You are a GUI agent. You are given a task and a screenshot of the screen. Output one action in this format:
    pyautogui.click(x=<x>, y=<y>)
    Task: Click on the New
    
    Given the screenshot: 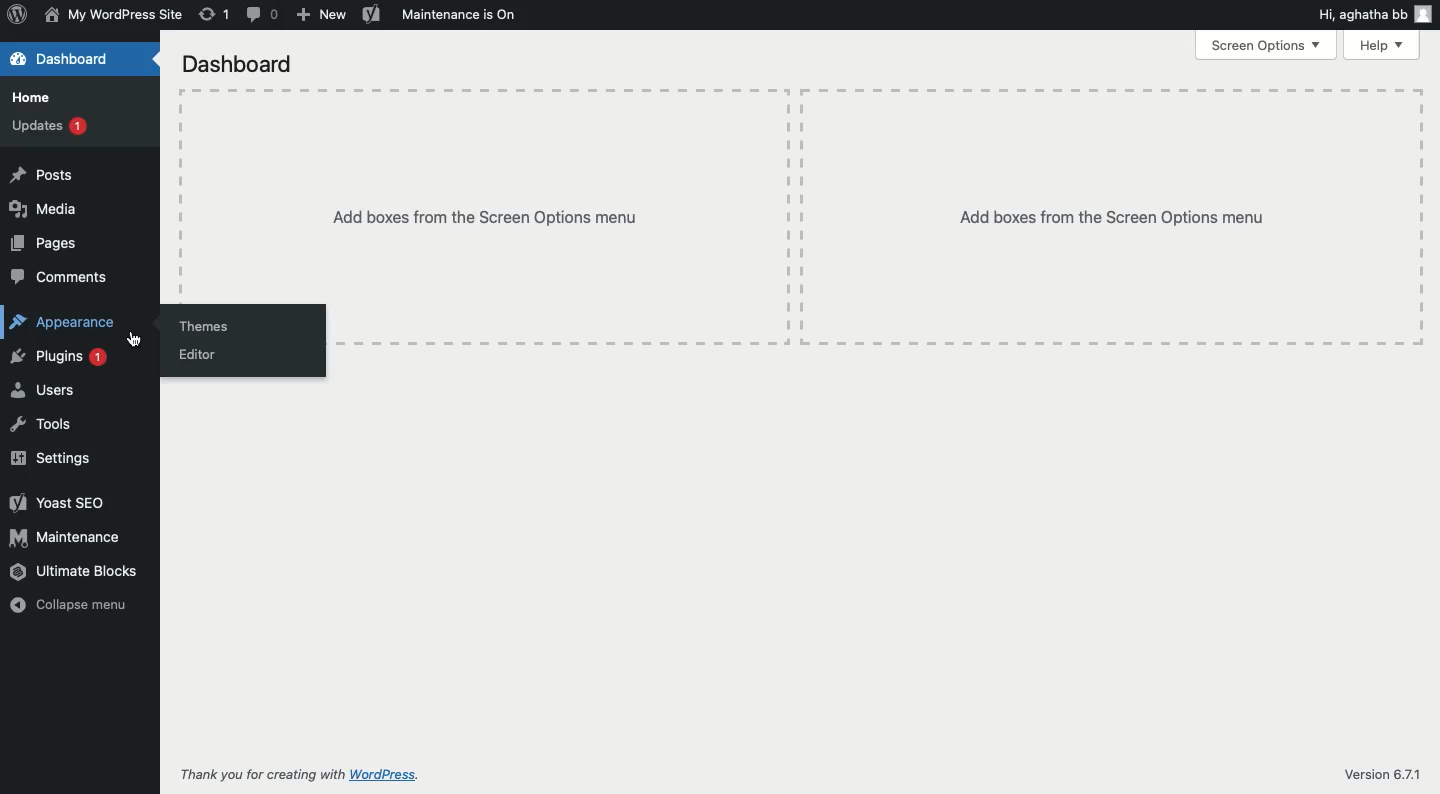 What is the action you would take?
    pyautogui.click(x=321, y=15)
    